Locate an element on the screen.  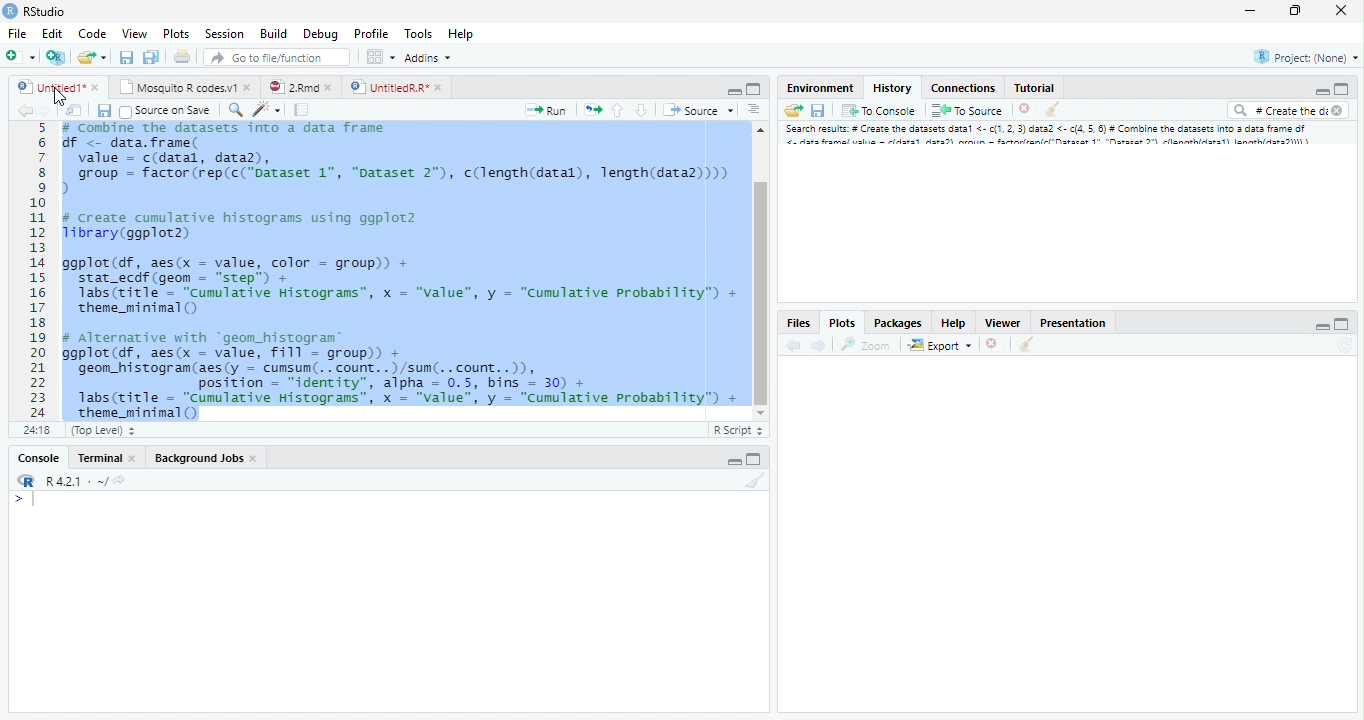
Help is located at coordinates (953, 322).